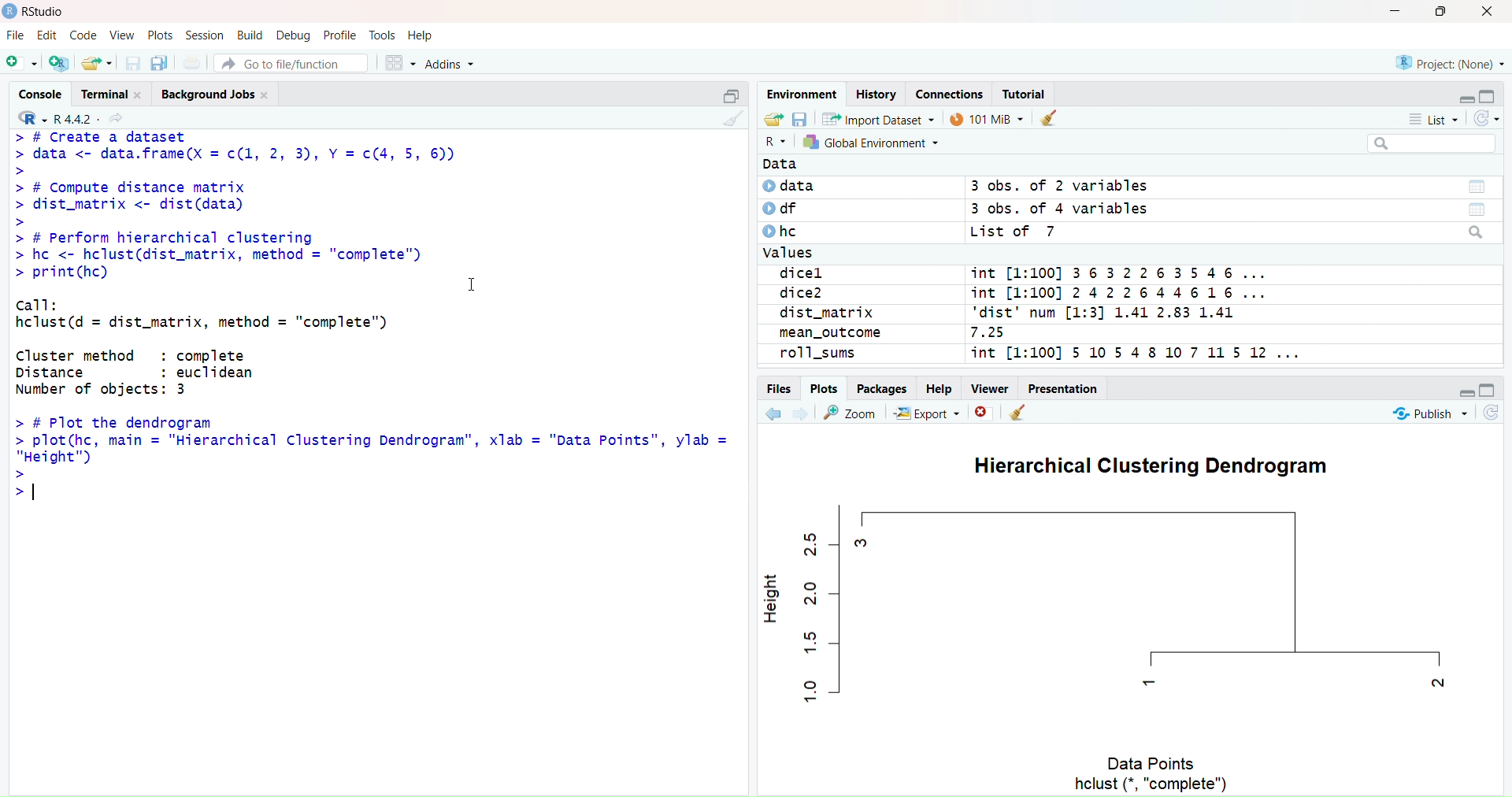 The height and width of the screenshot is (797, 1512). Describe the element at coordinates (196, 60) in the screenshot. I see `Save all open documents (Ctrl + Alt + S)` at that location.